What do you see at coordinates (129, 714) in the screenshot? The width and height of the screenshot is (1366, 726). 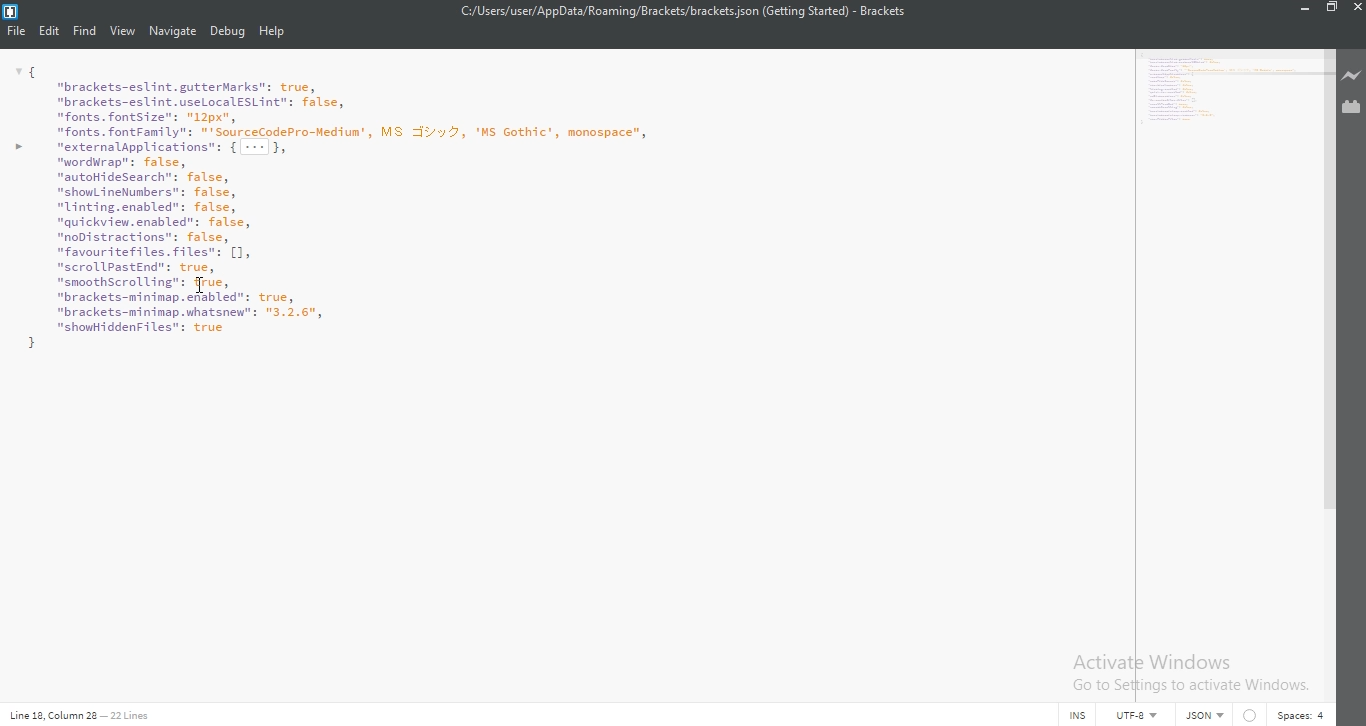 I see `22 Line` at bounding box center [129, 714].